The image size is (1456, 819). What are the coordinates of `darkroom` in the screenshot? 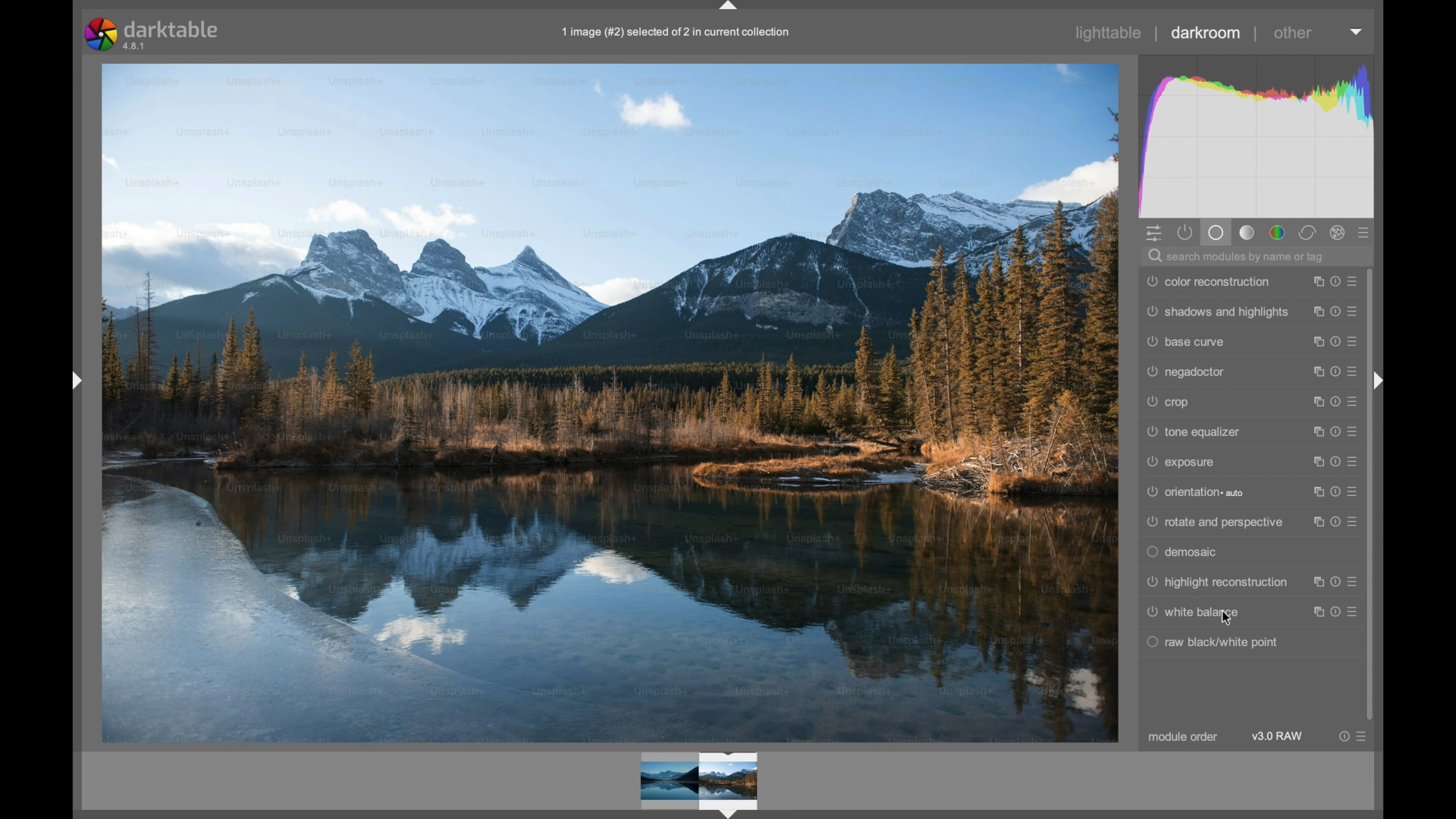 It's located at (1207, 33).